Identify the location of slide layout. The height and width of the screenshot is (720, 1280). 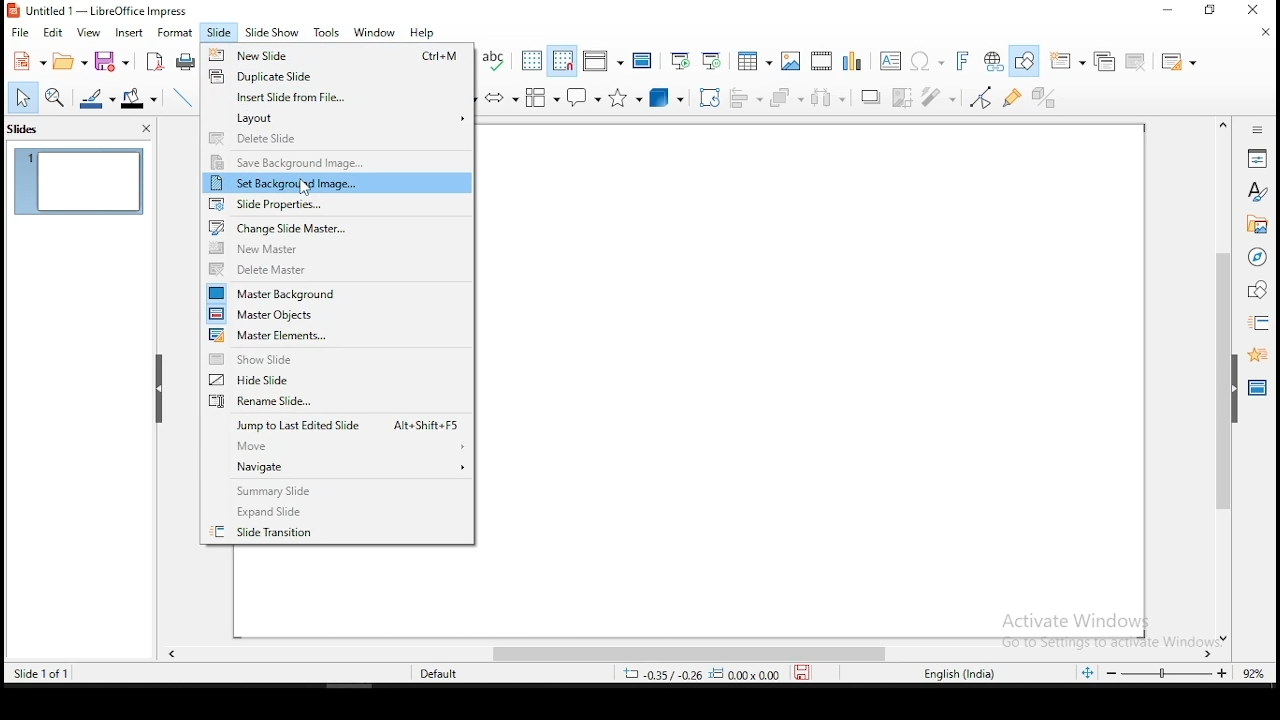
(1183, 61).